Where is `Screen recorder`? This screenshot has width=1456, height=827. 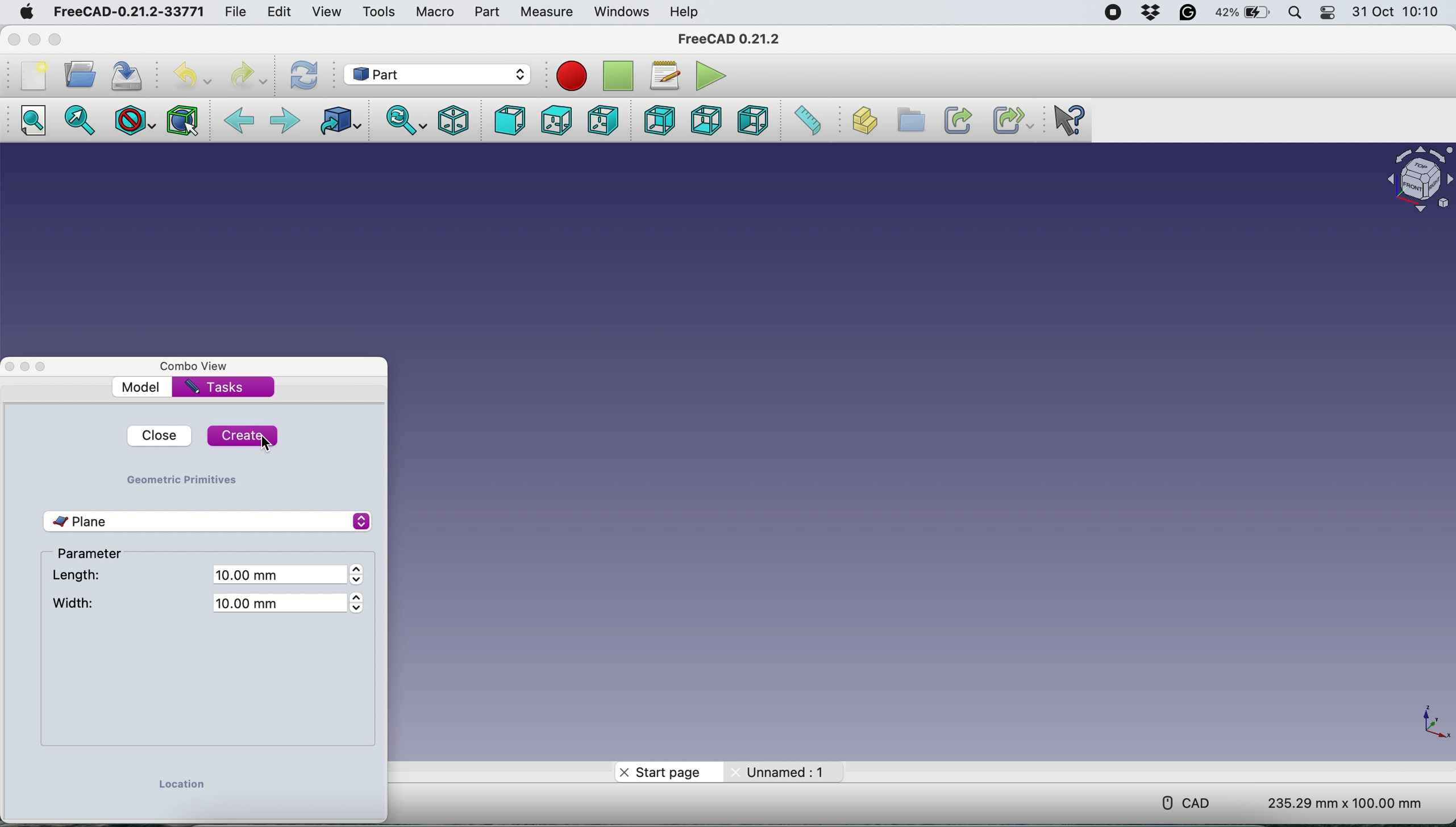
Screen recorder is located at coordinates (1115, 12).